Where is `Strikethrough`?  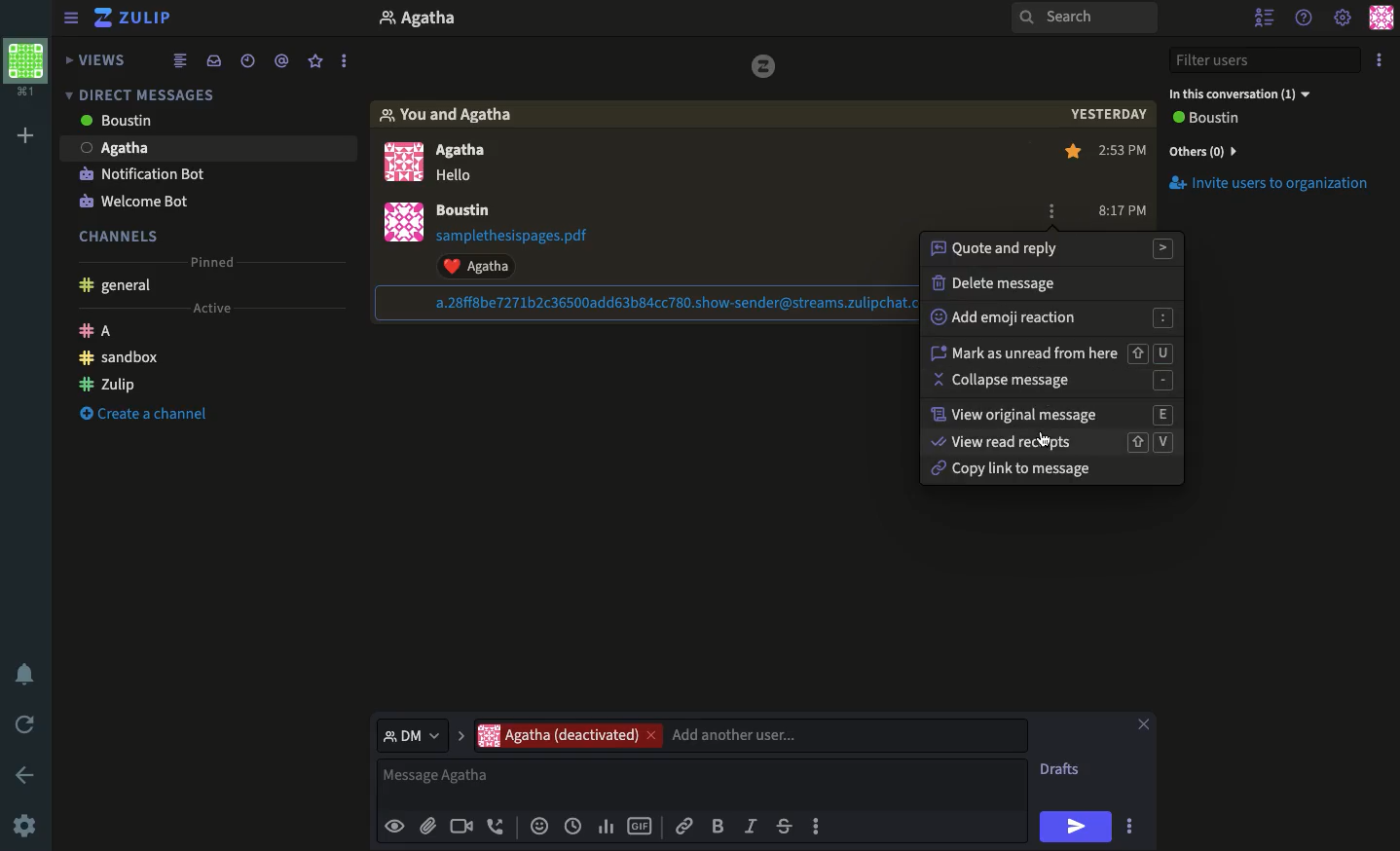
Strikethrough is located at coordinates (784, 826).